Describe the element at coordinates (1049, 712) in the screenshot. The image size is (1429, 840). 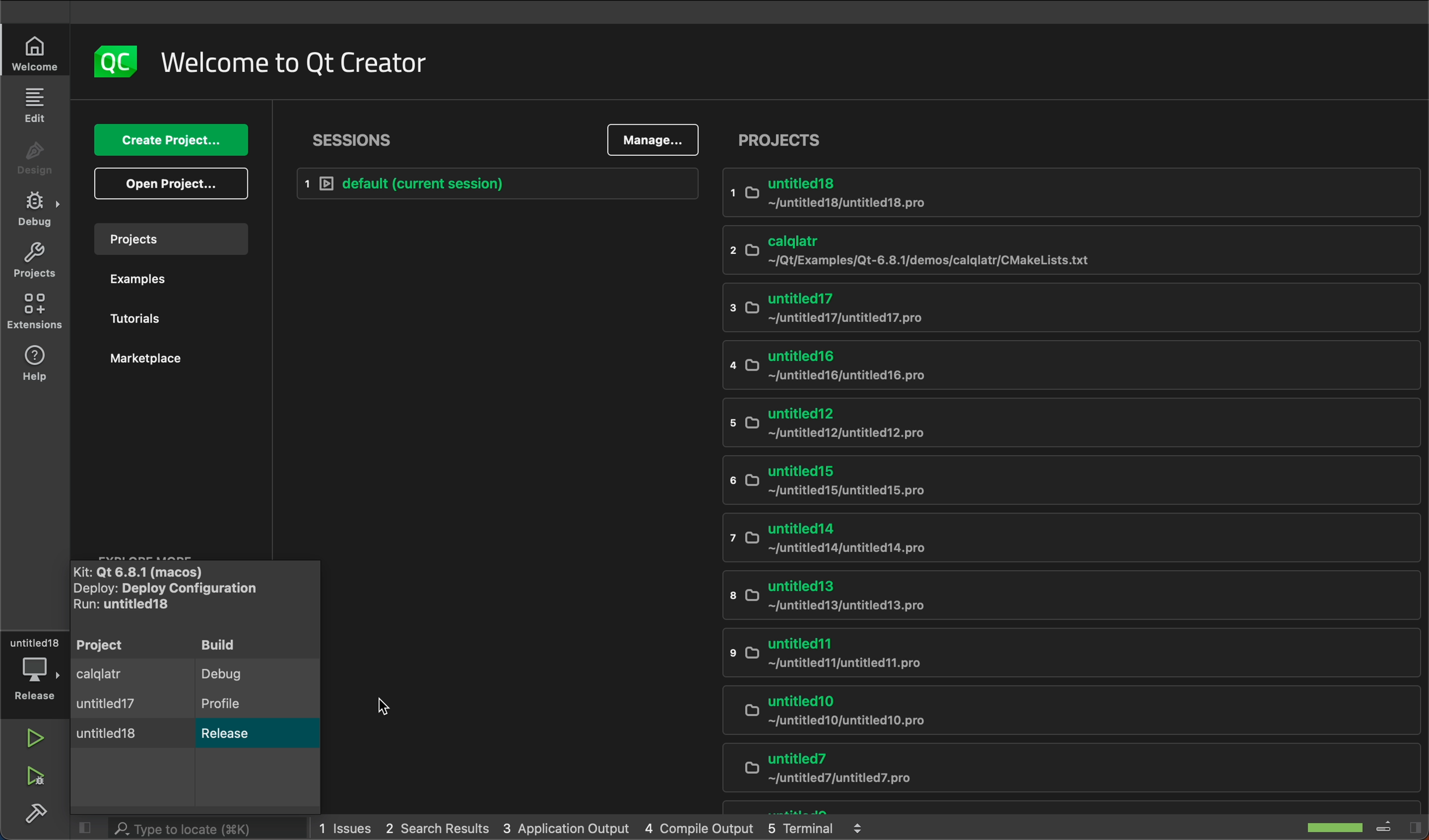
I see `untitled10` at that location.